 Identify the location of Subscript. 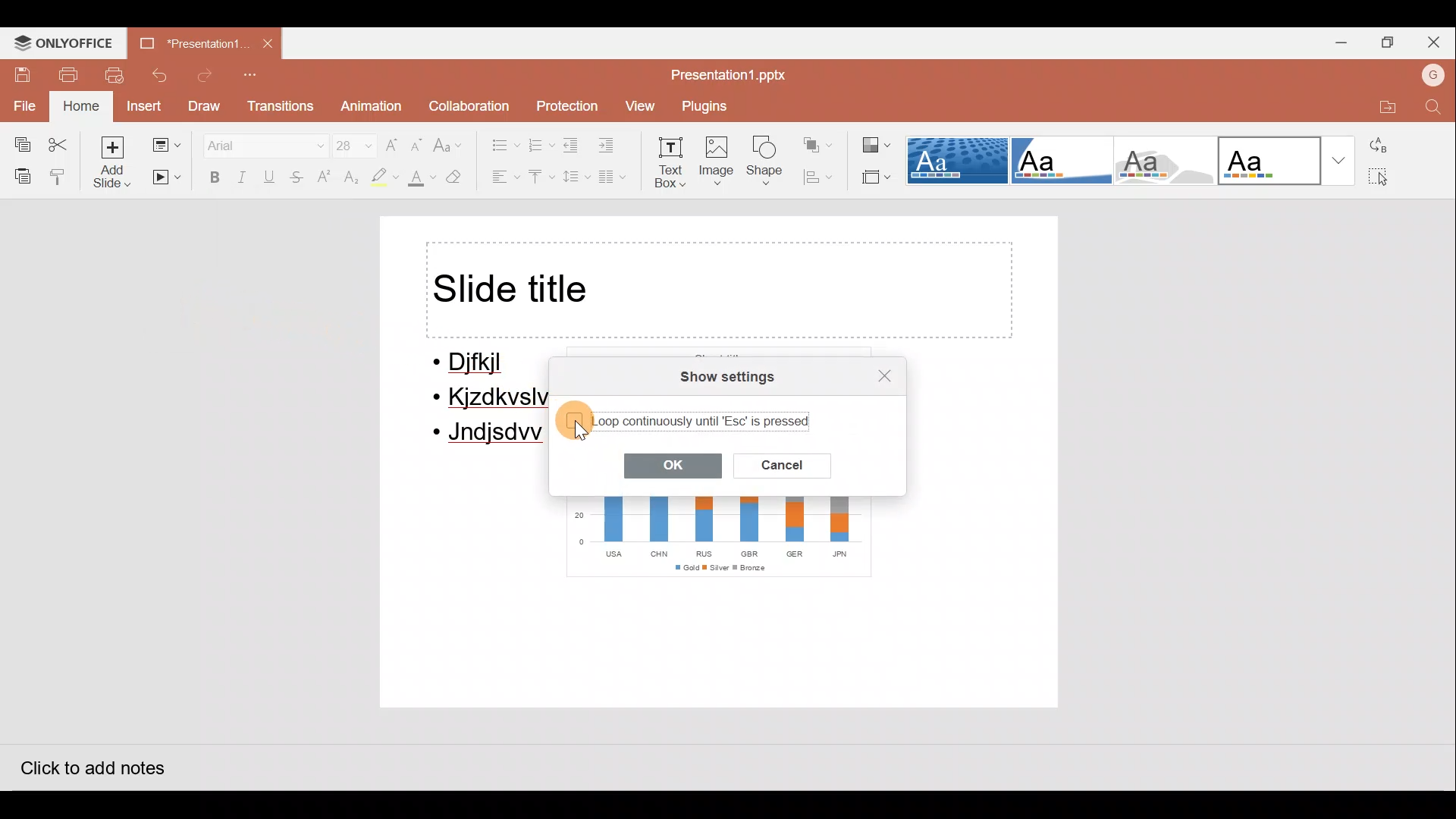
(349, 178).